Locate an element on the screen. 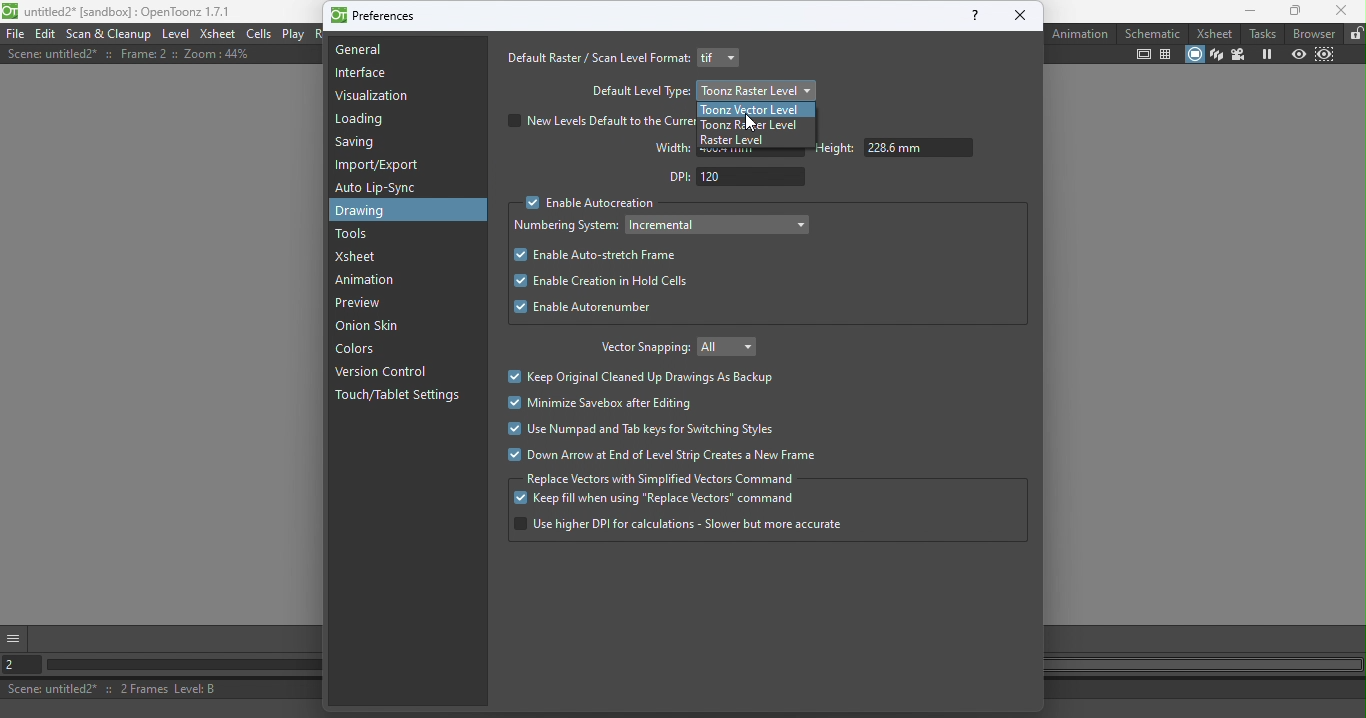 Image resolution: width=1366 pixels, height=718 pixels. Enable autorenumber is located at coordinates (586, 310).